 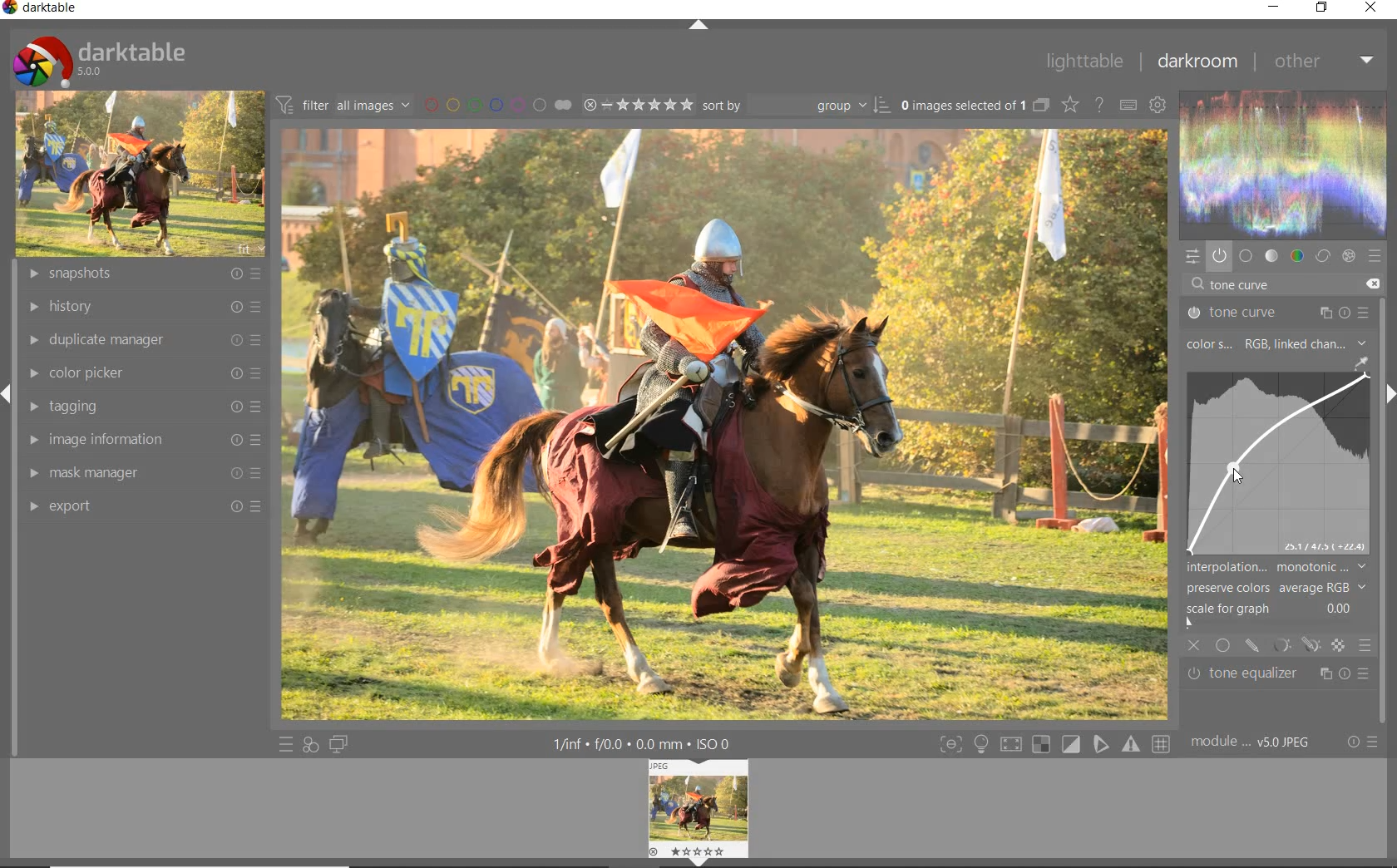 What do you see at coordinates (1279, 674) in the screenshot?
I see `tone equalizer` at bounding box center [1279, 674].